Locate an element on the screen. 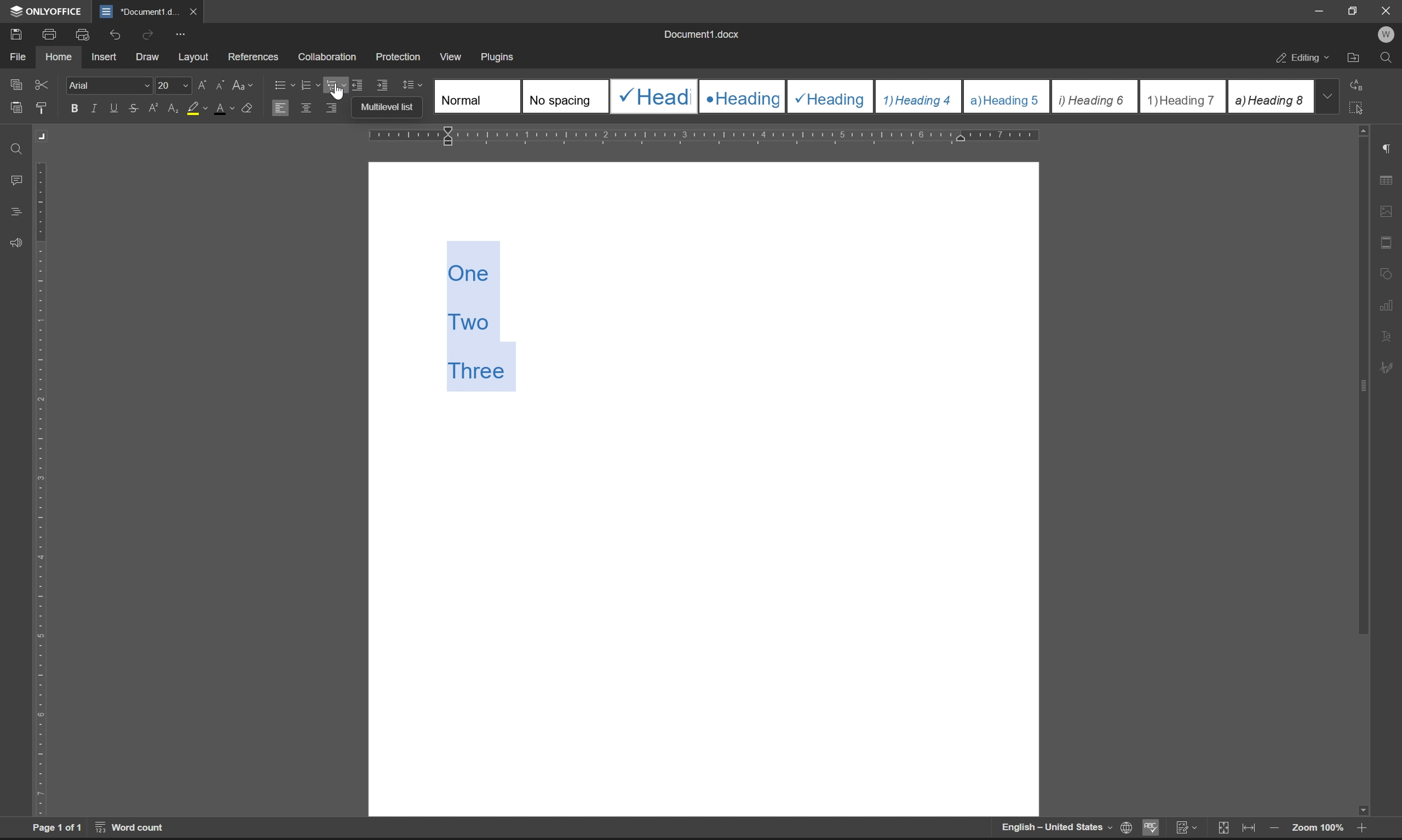 Image resolution: width=1402 pixels, height=840 pixels. signature settings is located at coordinates (1390, 368).